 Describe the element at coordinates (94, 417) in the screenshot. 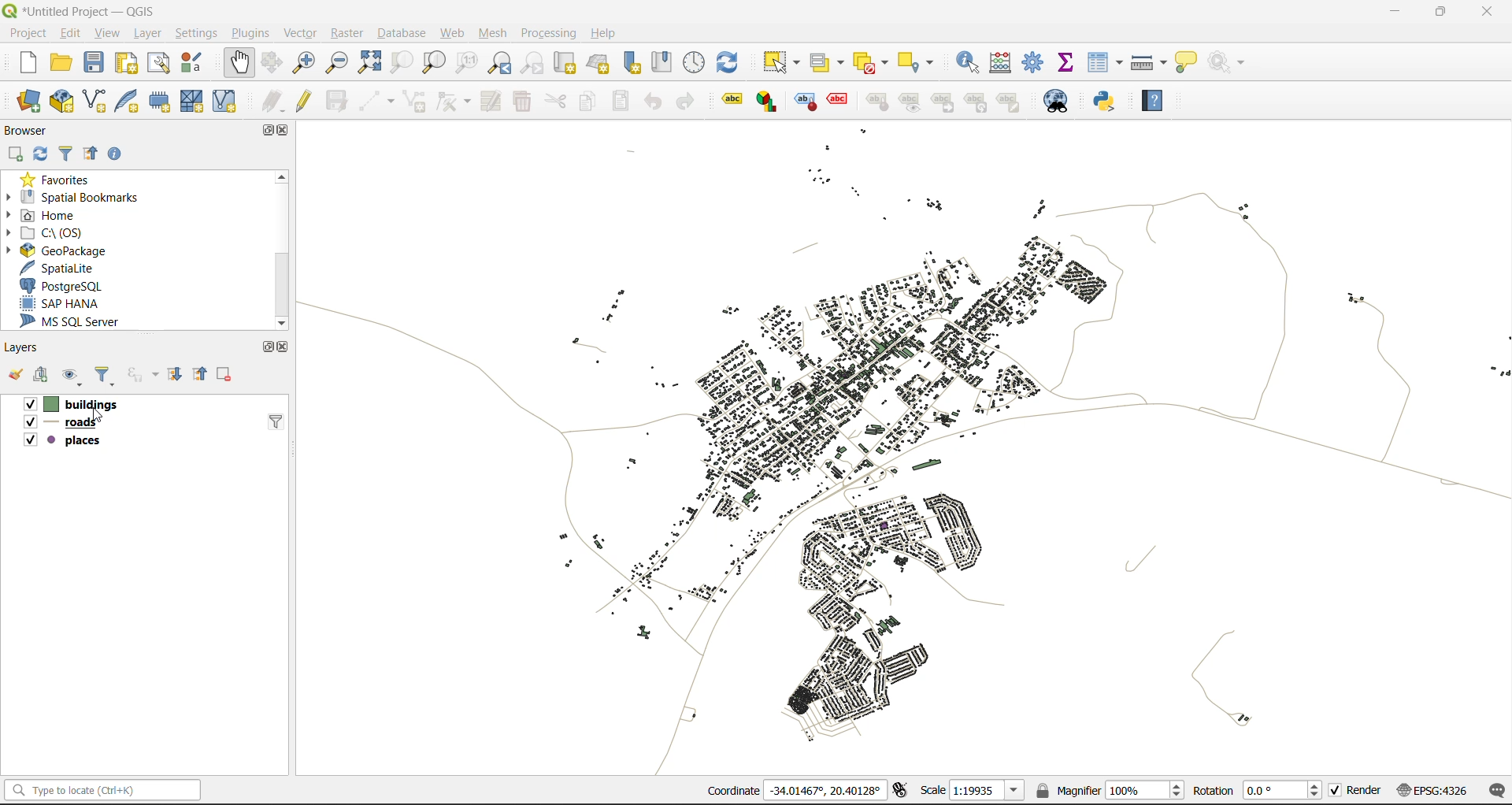

I see `Cursor` at that location.